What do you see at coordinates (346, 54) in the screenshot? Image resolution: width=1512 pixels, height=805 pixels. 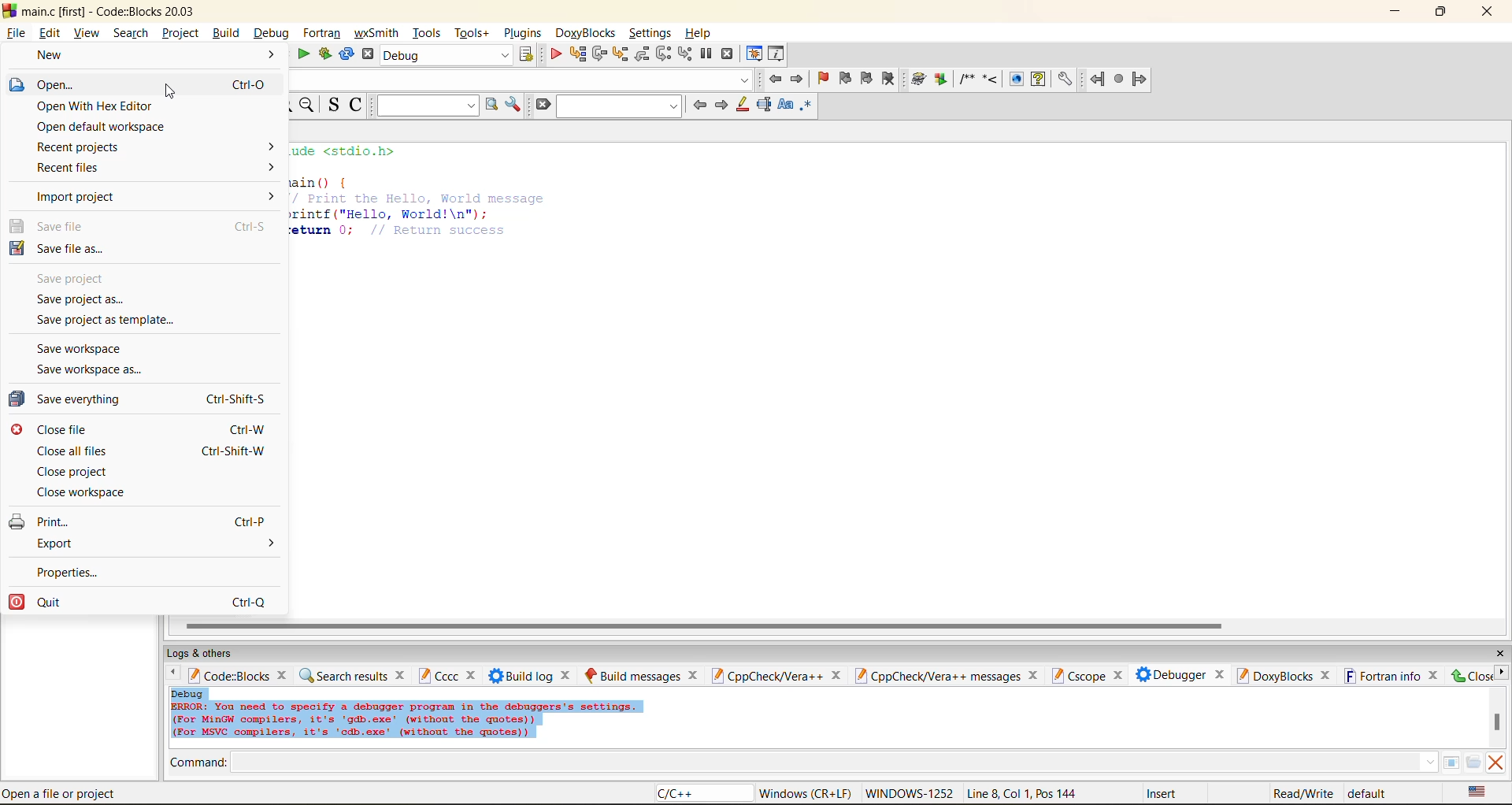 I see `rebuild` at bounding box center [346, 54].